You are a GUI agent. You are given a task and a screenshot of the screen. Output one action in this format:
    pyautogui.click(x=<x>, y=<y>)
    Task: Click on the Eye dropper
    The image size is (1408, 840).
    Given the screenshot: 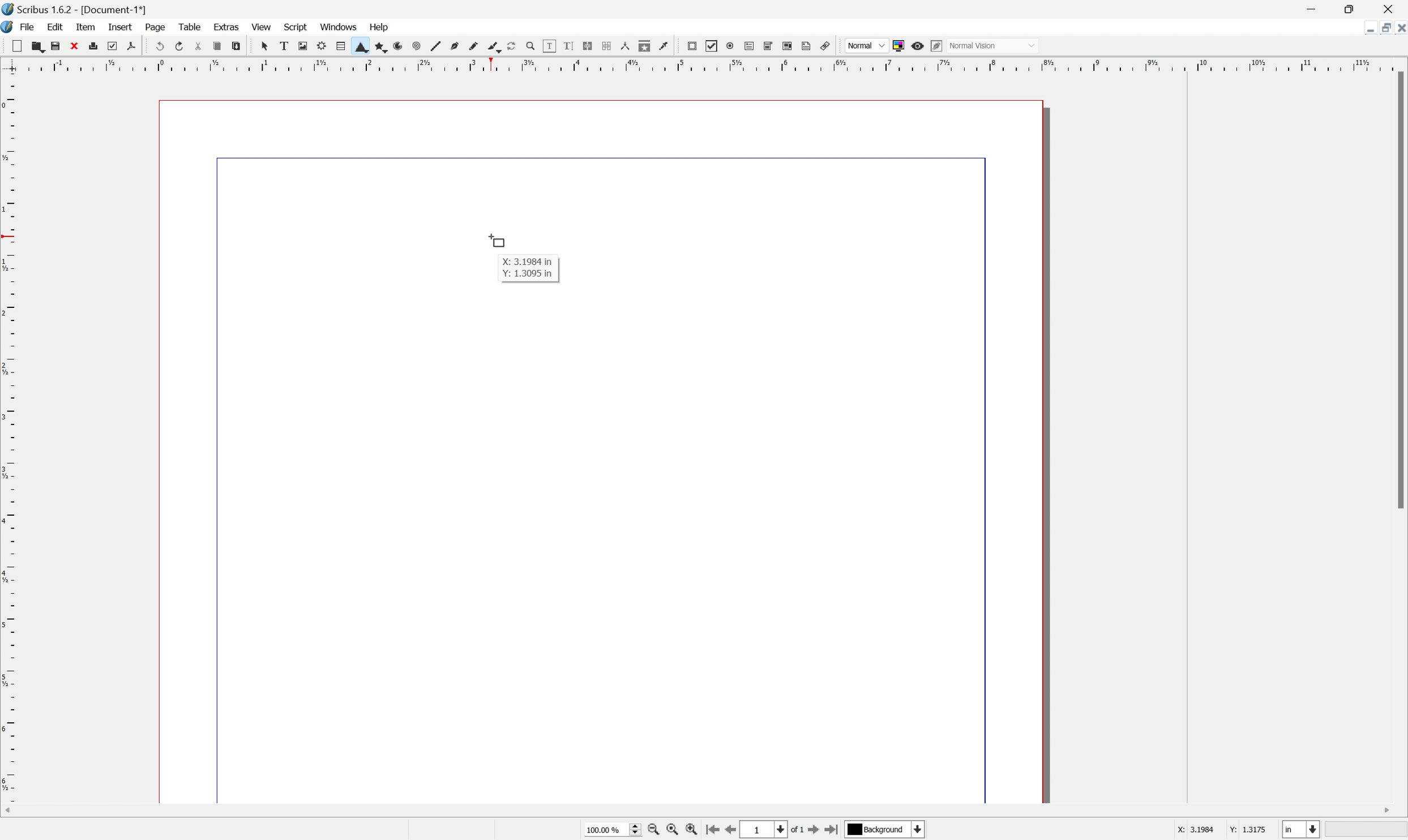 What is the action you would take?
    pyautogui.click(x=667, y=46)
    